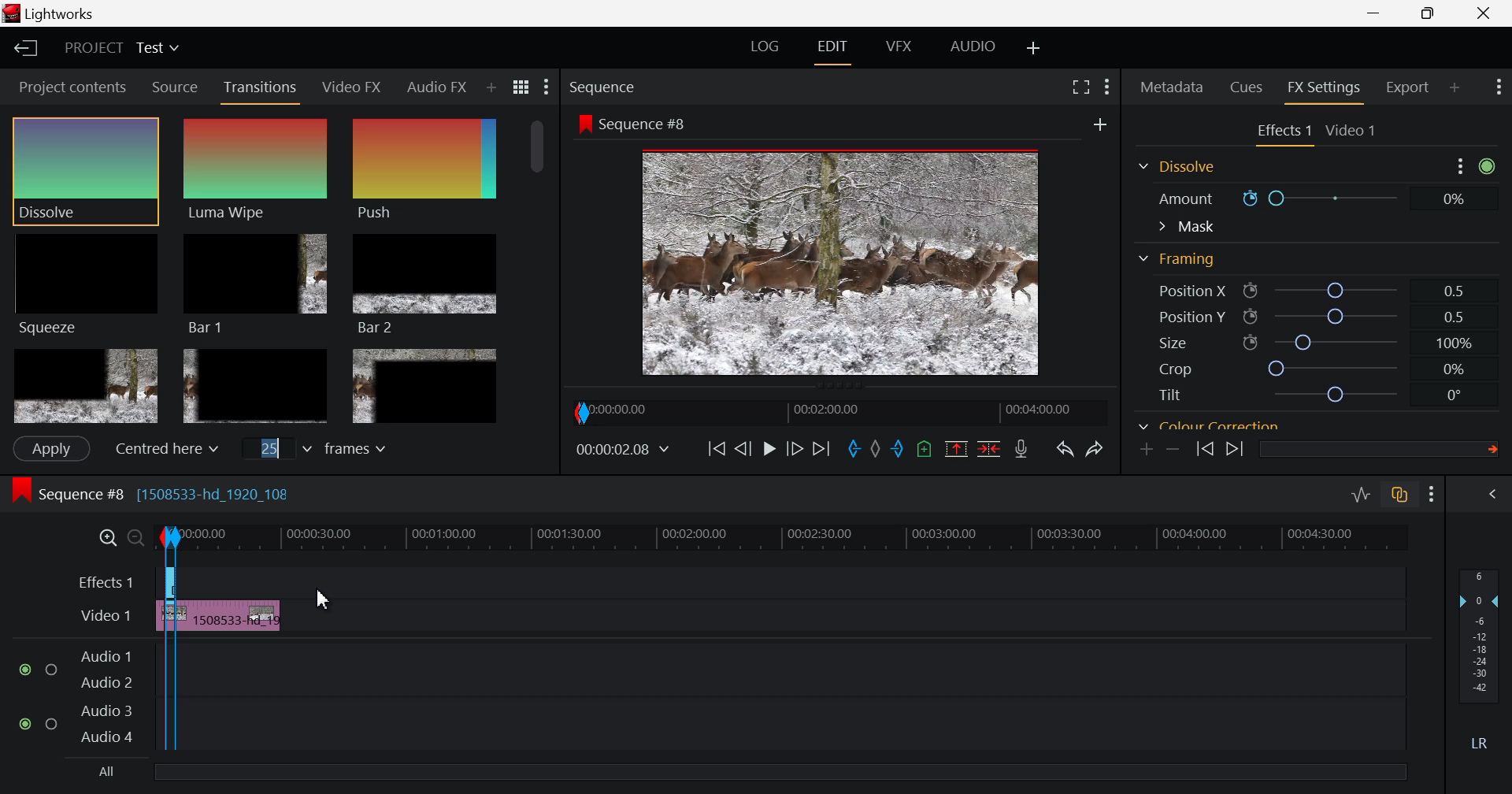  What do you see at coordinates (102, 614) in the screenshot?
I see `Video 1` at bounding box center [102, 614].